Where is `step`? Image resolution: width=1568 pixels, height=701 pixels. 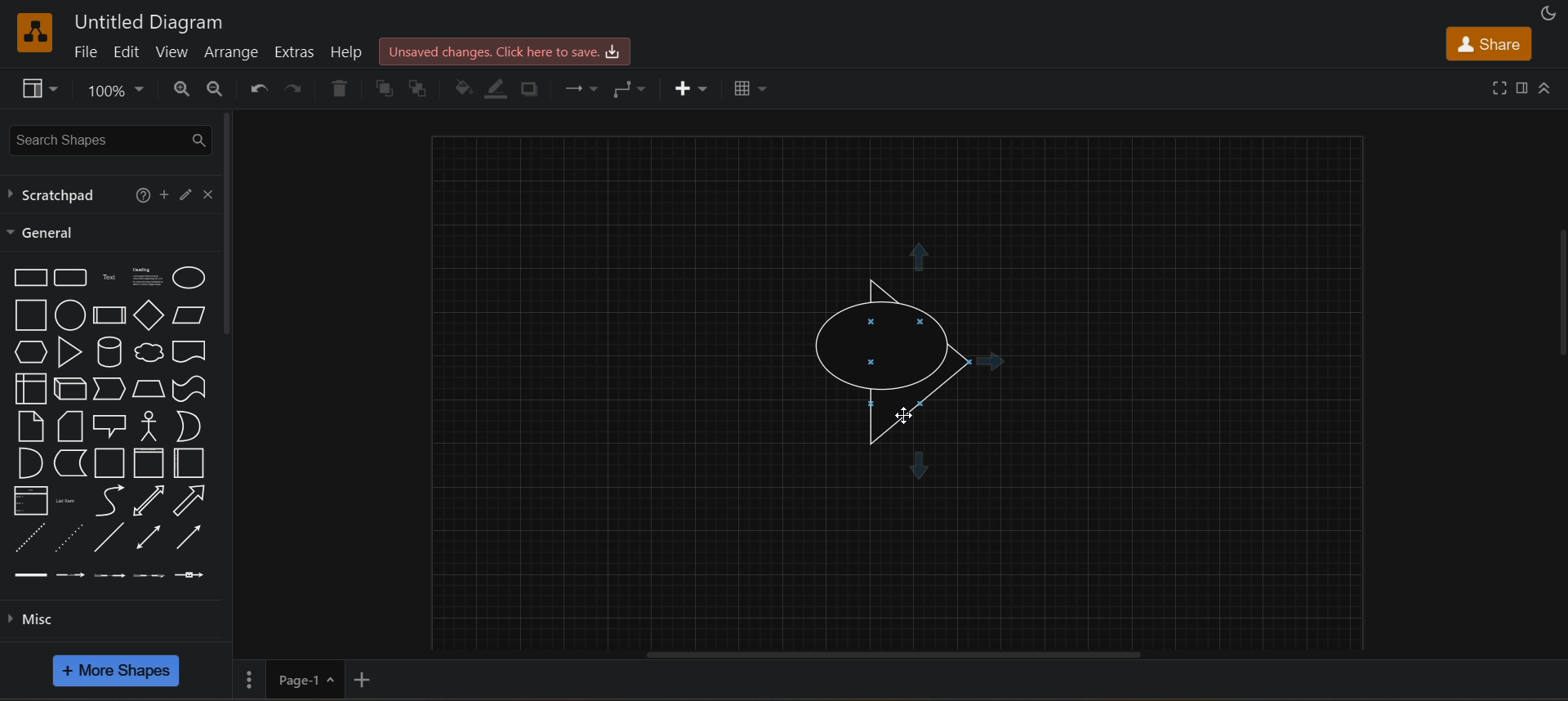 step is located at coordinates (110, 389).